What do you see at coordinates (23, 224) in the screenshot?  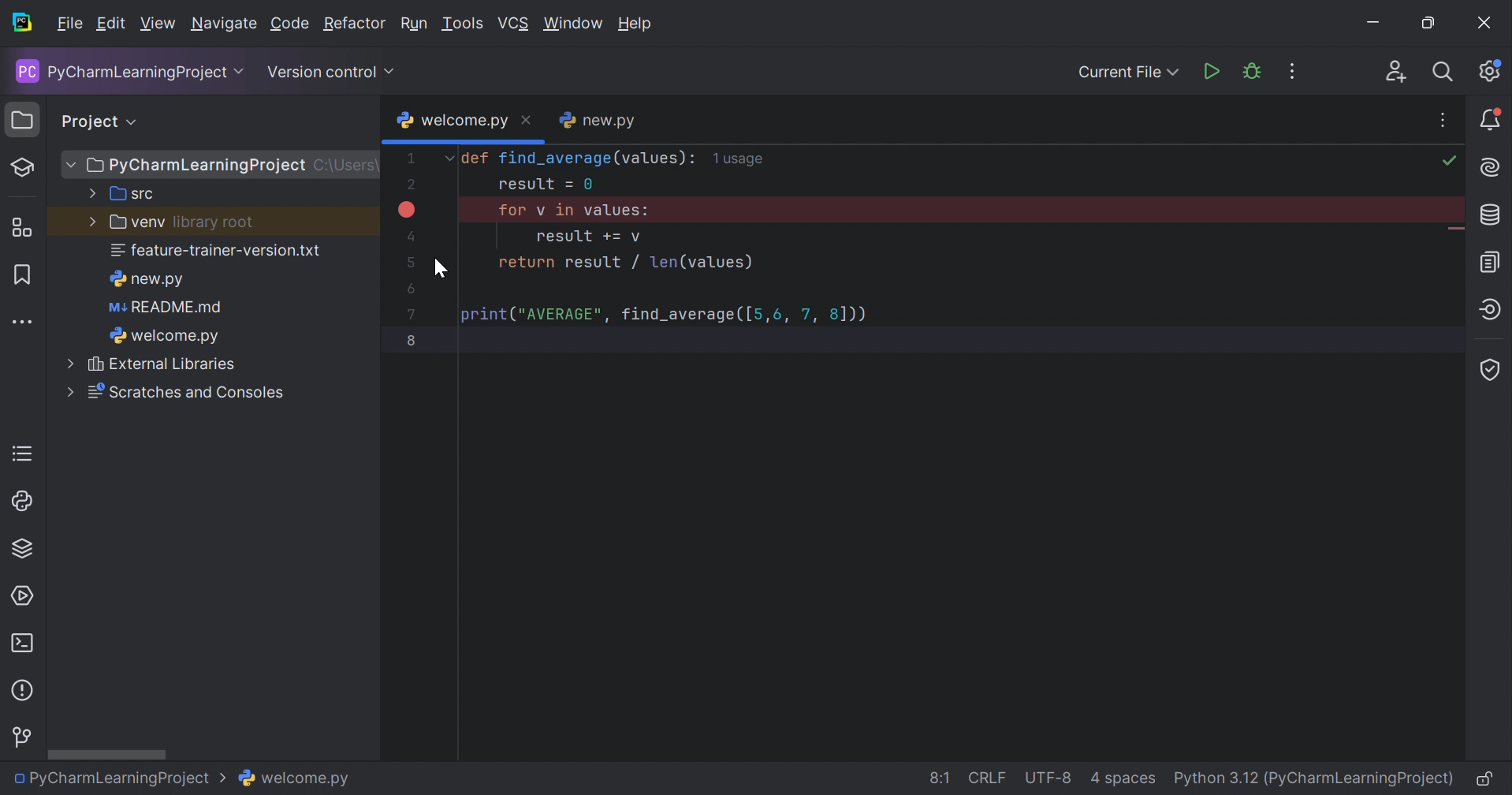 I see `Structure` at bounding box center [23, 224].